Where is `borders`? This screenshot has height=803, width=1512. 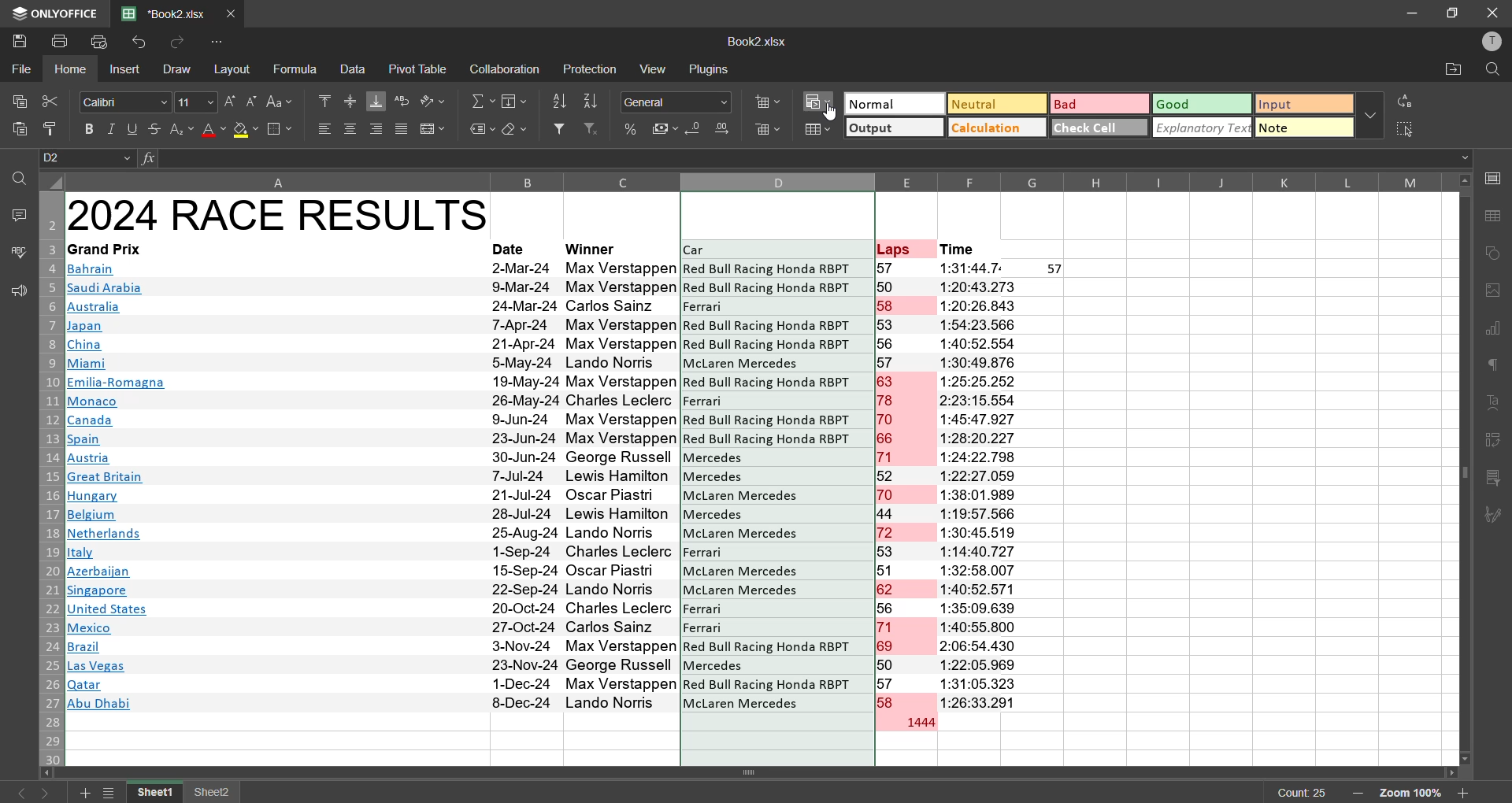 borders is located at coordinates (280, 130).